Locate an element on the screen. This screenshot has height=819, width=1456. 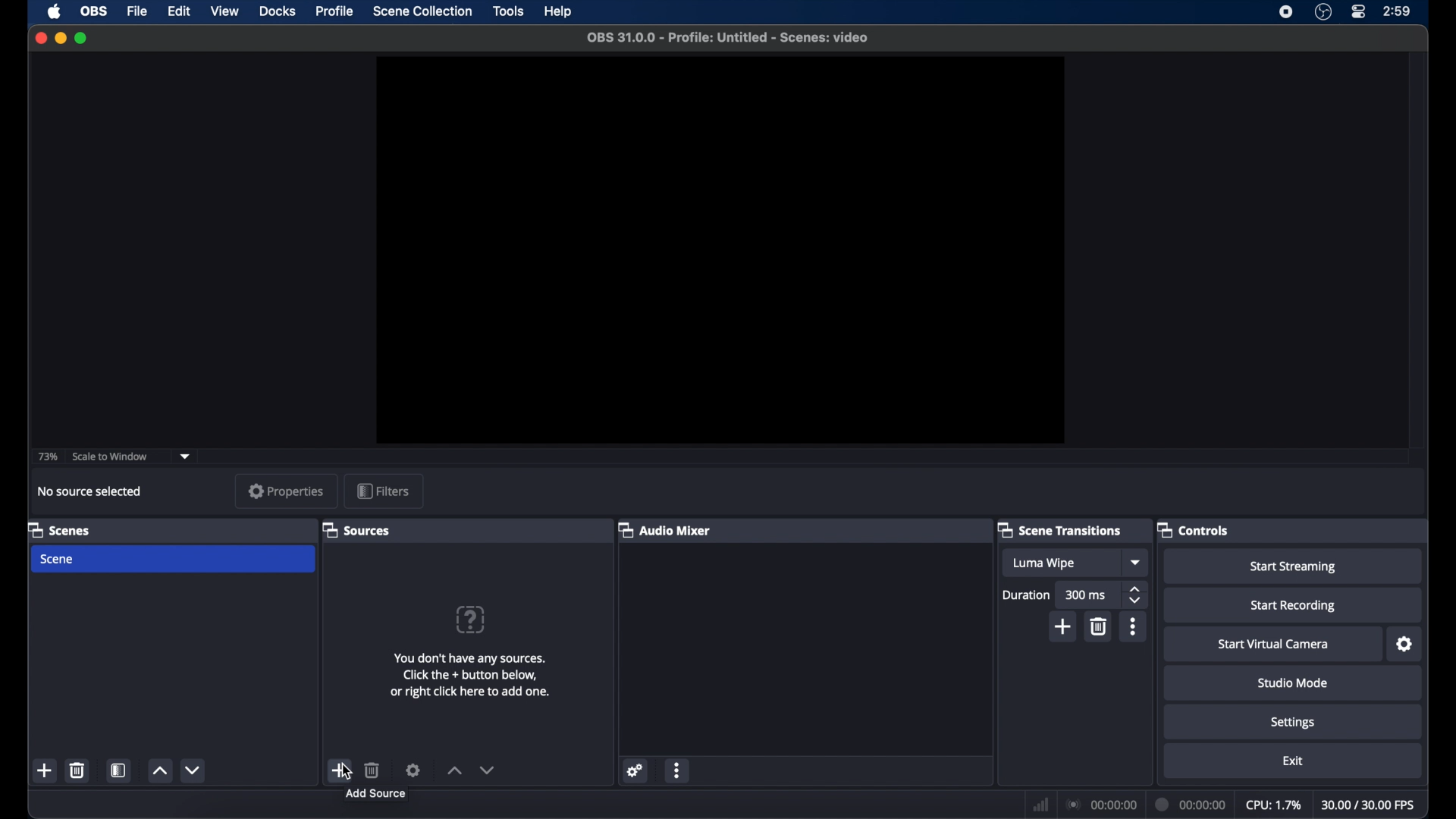
exit is located at coordinates (1294, 761).